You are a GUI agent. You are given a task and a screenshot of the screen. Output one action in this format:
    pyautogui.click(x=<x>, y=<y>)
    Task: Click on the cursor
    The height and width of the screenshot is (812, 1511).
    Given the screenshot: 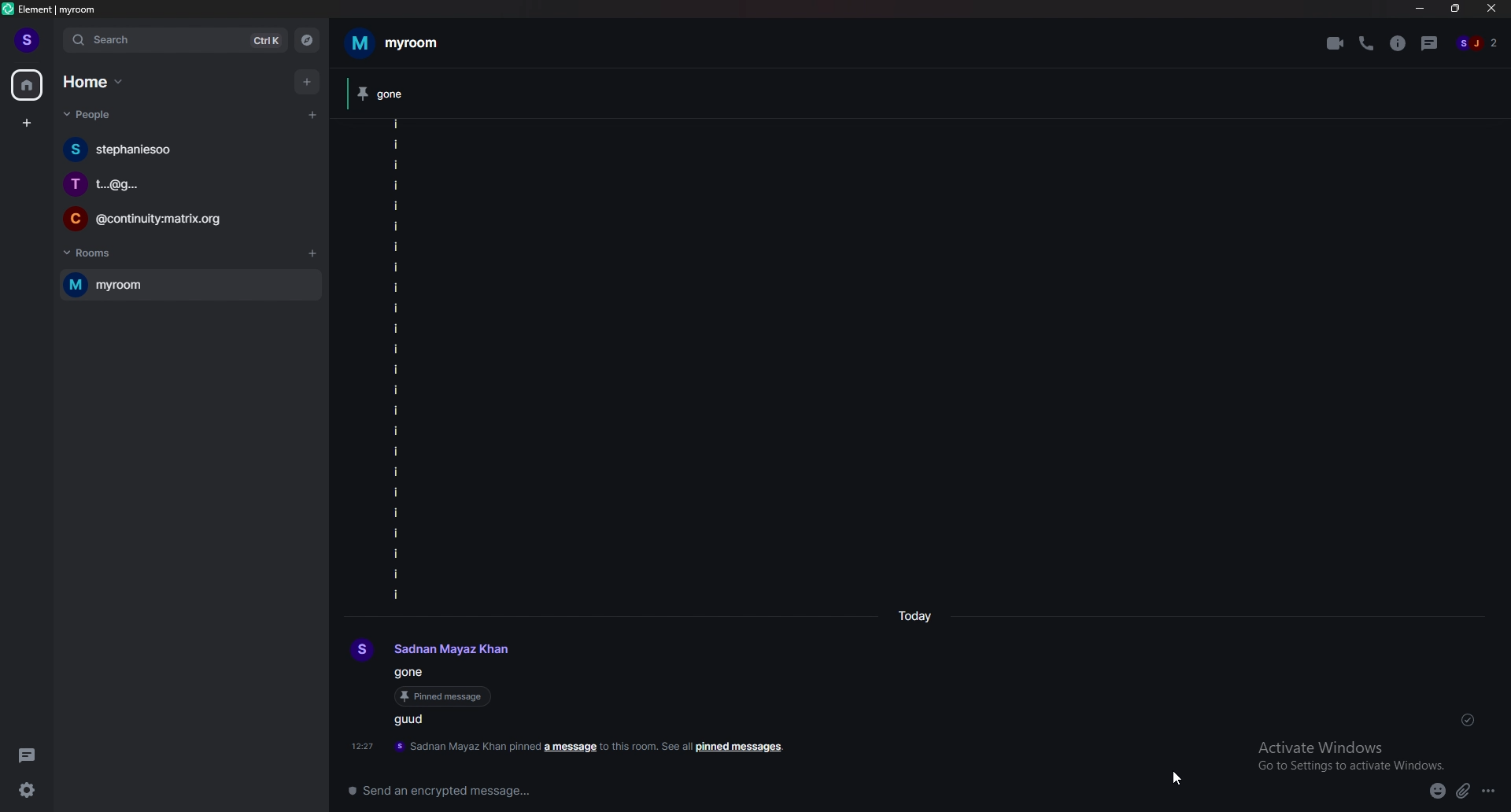 What is the action you would take?
    pyautogui.click(x=1179, y=778)
    